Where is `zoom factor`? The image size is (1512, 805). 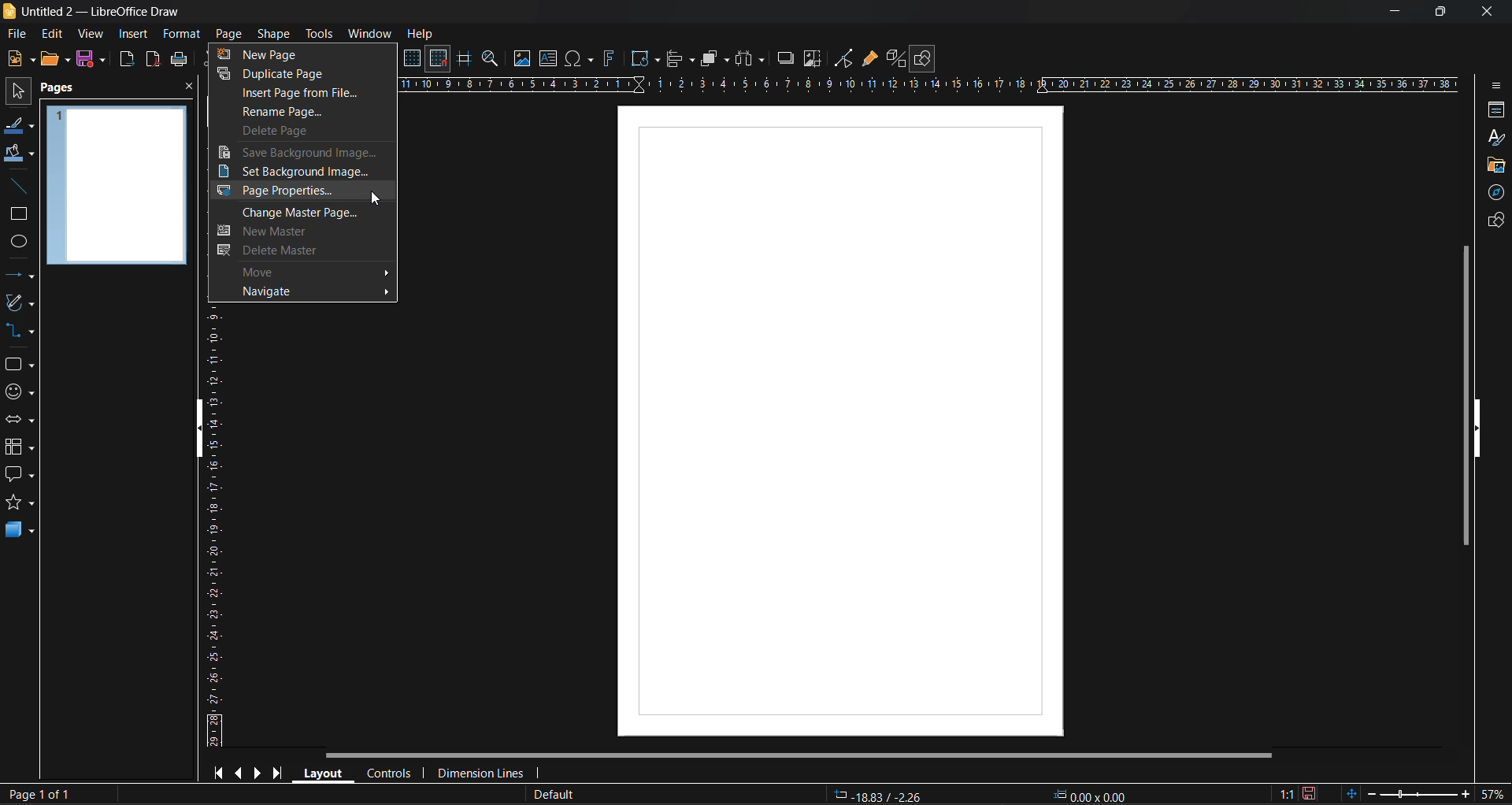 zoom factor is located at coordinates (1495, 793).